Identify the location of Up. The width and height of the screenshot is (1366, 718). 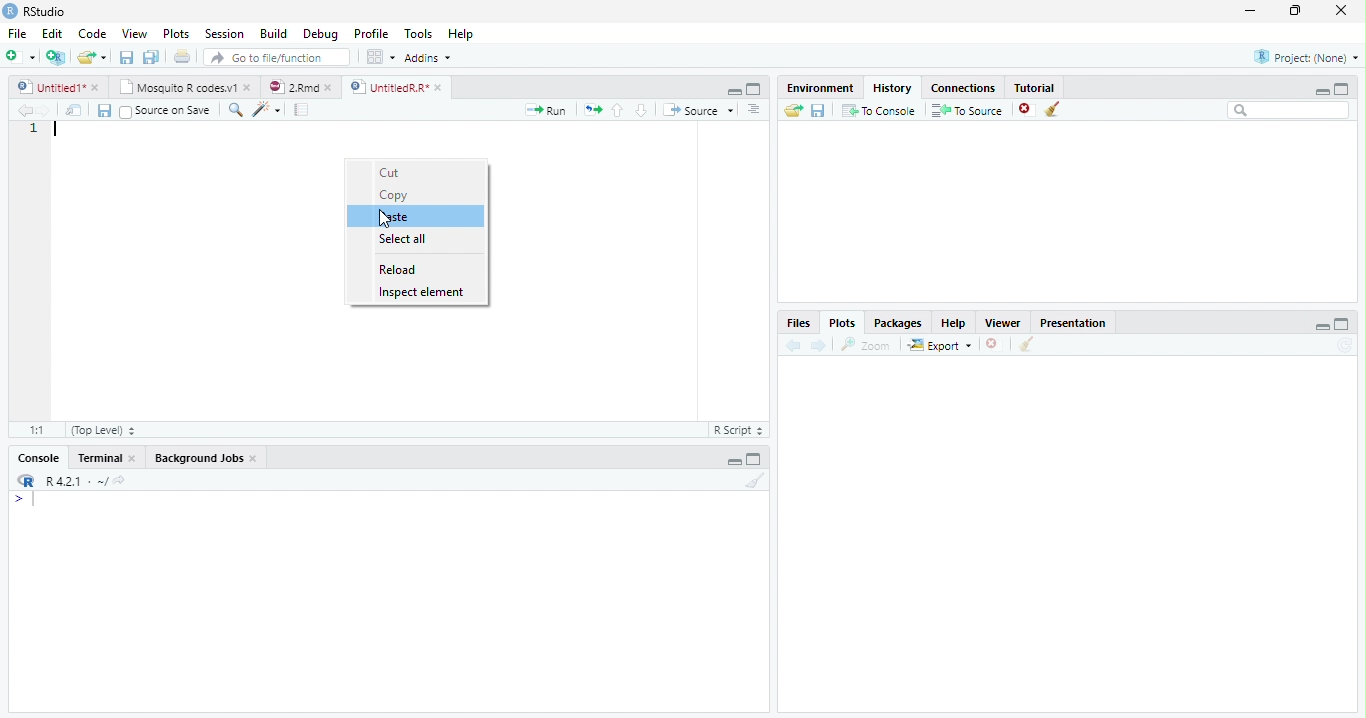
(618, 110).